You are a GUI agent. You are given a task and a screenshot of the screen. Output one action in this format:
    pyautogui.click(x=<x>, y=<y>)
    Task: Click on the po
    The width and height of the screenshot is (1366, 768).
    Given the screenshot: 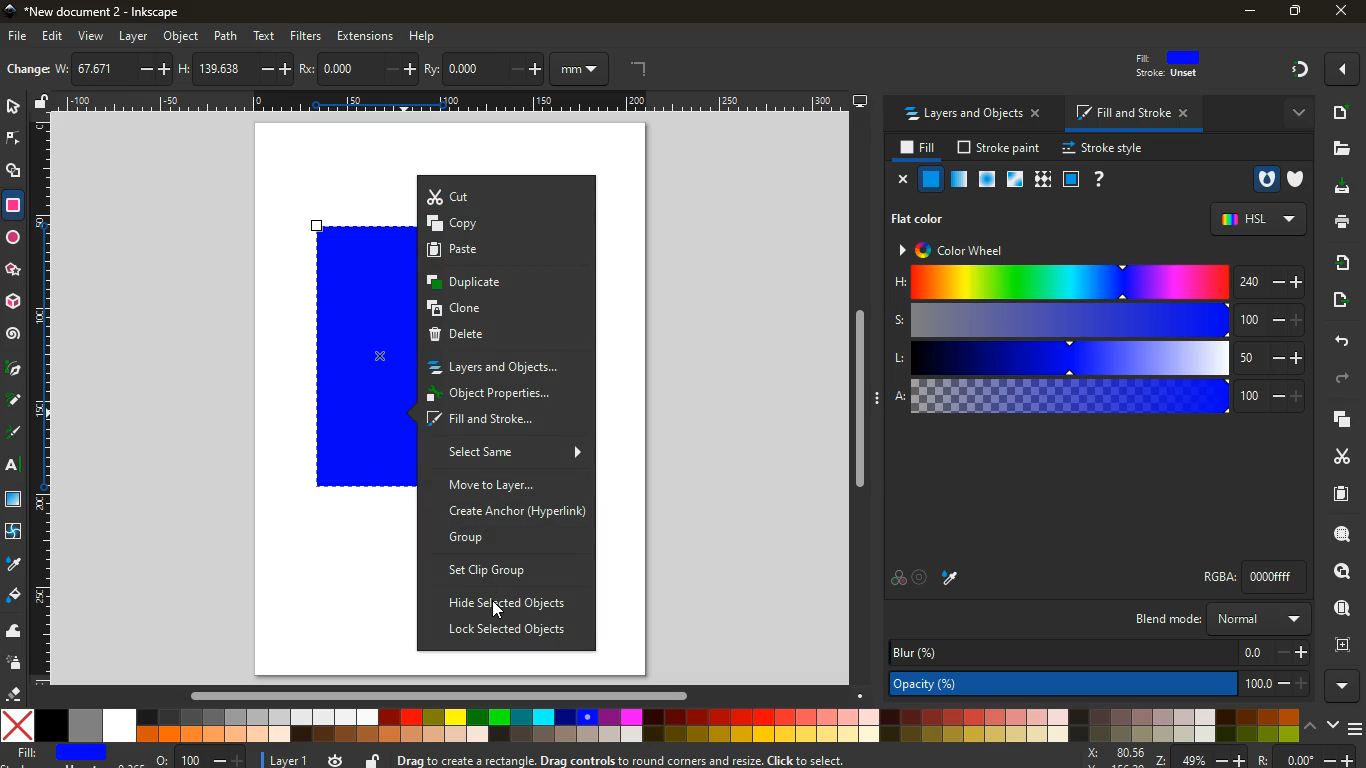 What is the action you would take?
    pyautogui.click(x=361, y=70)
    